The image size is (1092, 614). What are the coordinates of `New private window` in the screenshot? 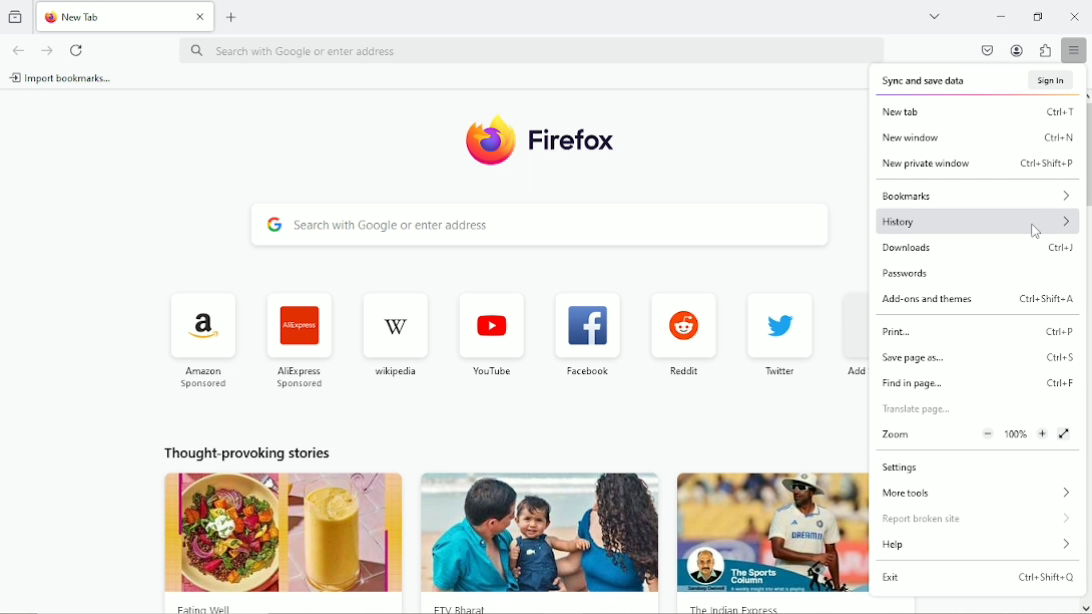 It's located at (978, 165).